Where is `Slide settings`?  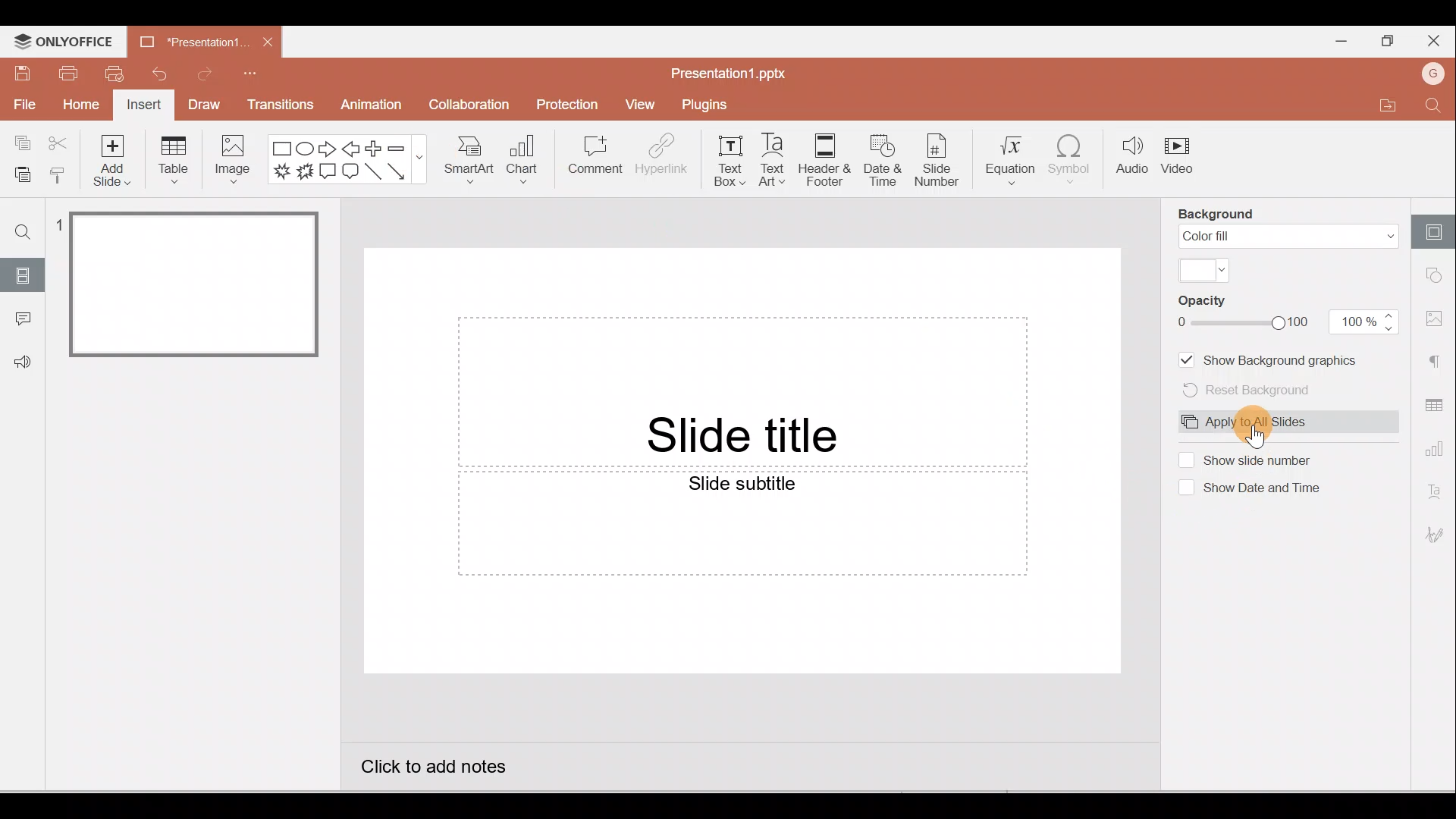
Slide settings is located at coordinates (1437, 227).